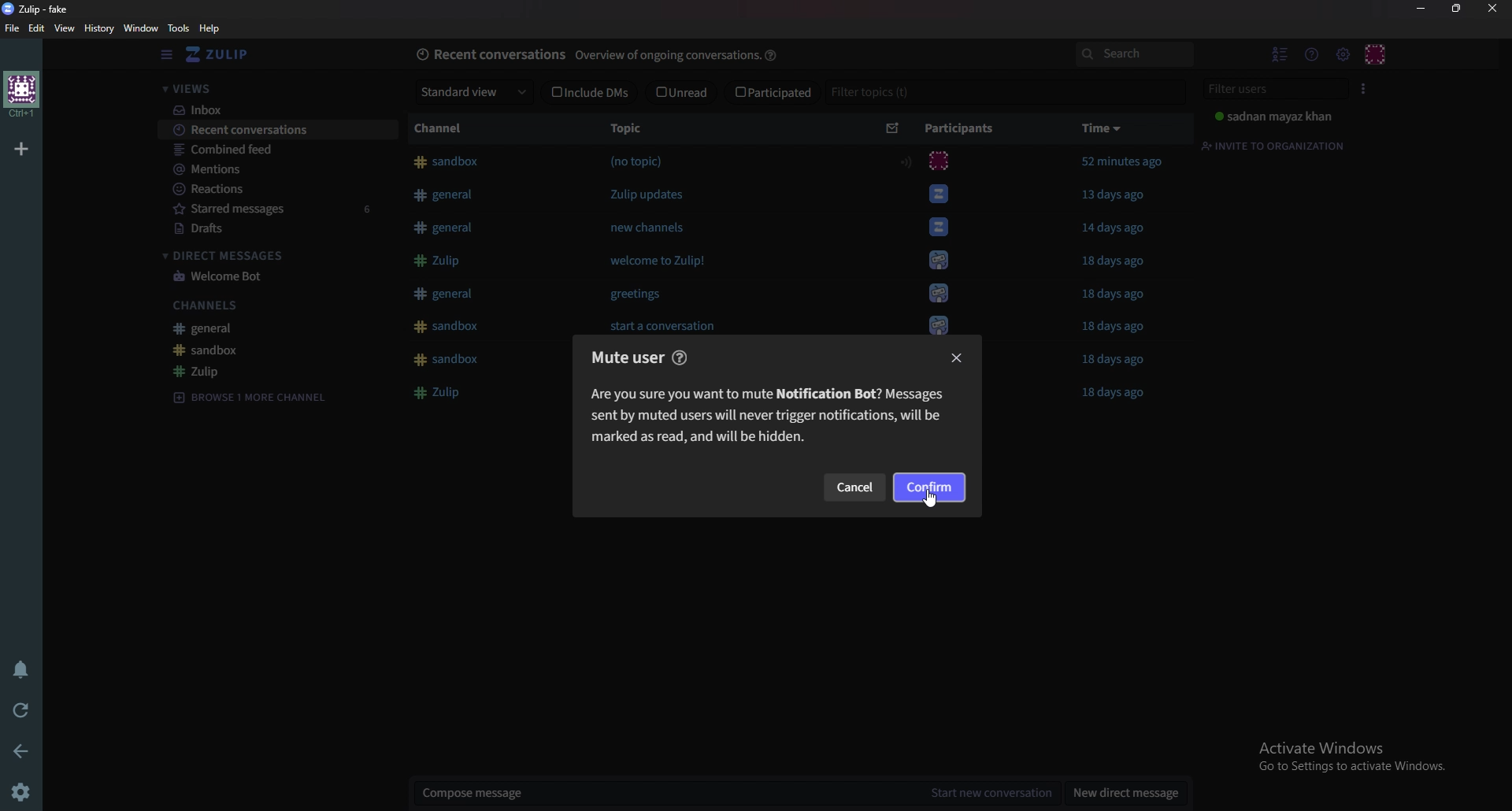 The height and width of the screenshot is (811, 1512). I want to click on Resize, so click(1456, 9).